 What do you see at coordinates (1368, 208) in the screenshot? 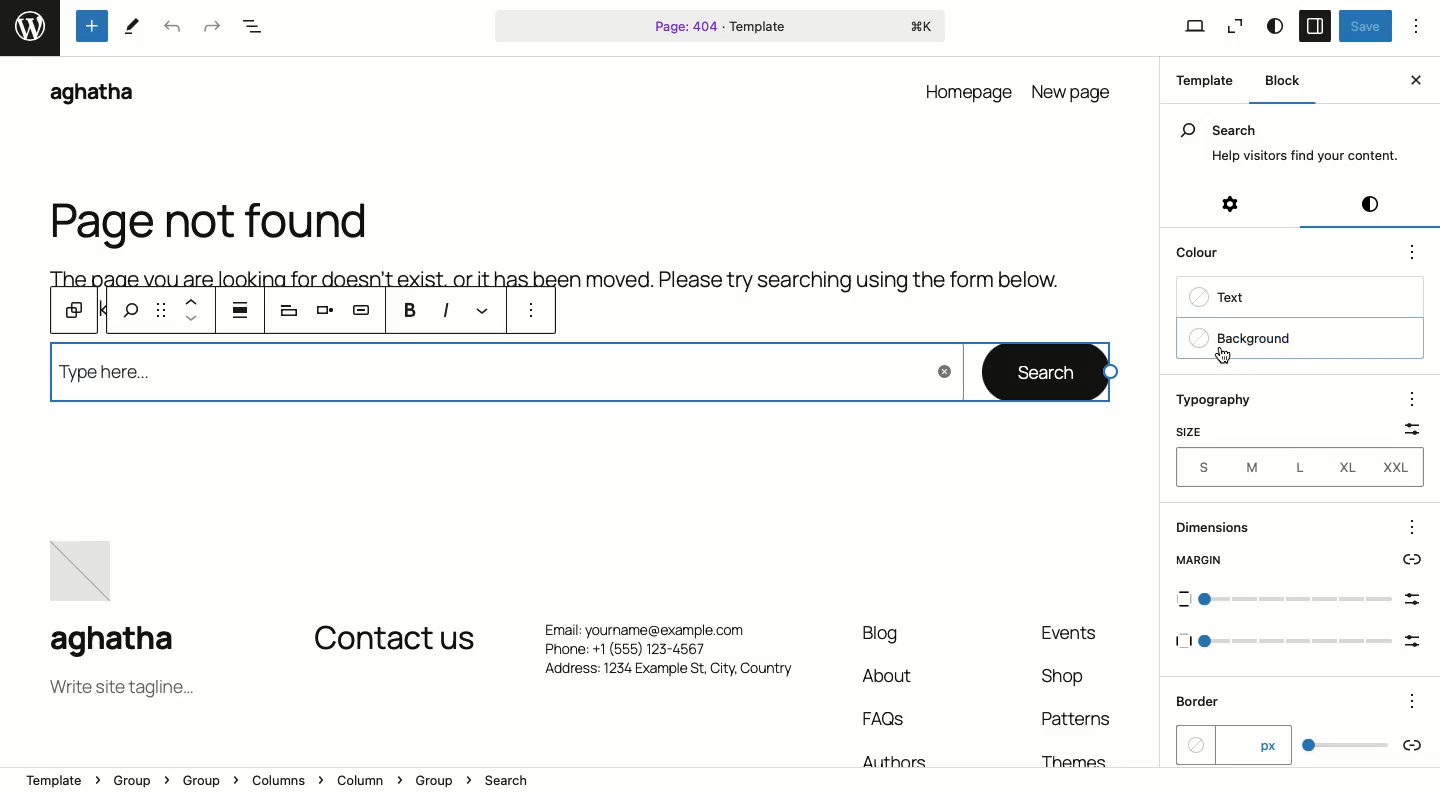
I see `Styles` at bounding box center [1368, 208].